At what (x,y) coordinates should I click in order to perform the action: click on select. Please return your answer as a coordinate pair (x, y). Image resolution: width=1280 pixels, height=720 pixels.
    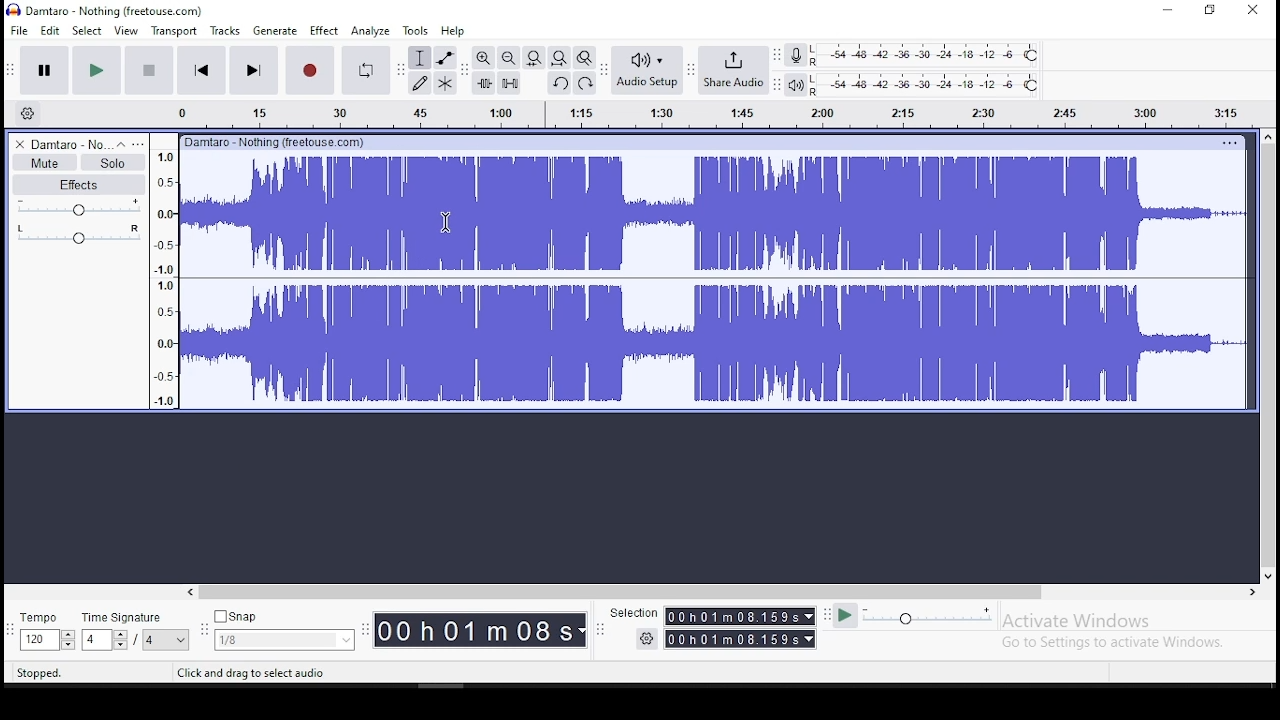
    Looking at the image, I should click on (88, 30).